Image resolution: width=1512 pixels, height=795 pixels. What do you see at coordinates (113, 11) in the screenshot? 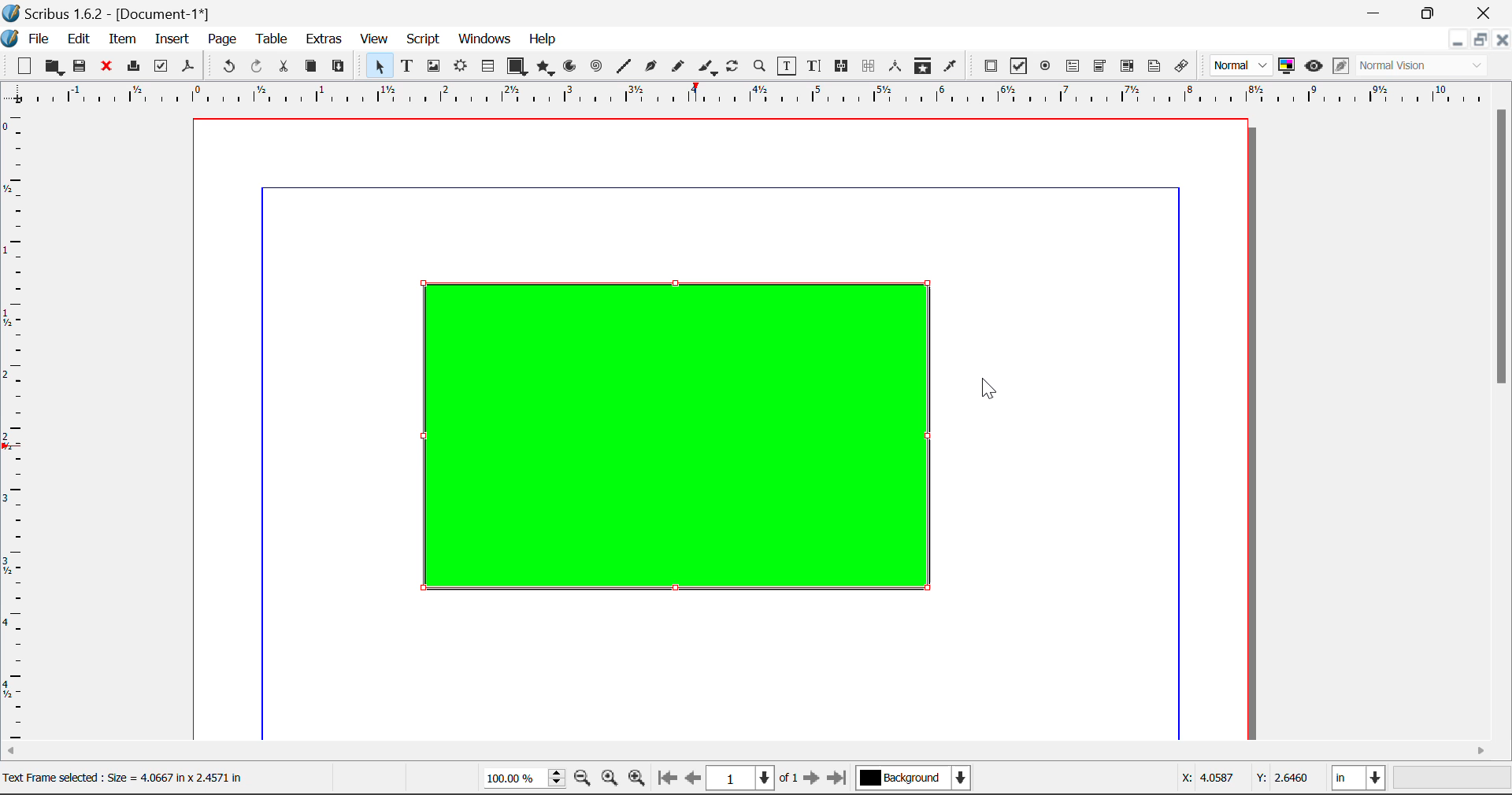
I see `Scribus 1.62 - [Document-1*]` at bounding box center [113, 11].